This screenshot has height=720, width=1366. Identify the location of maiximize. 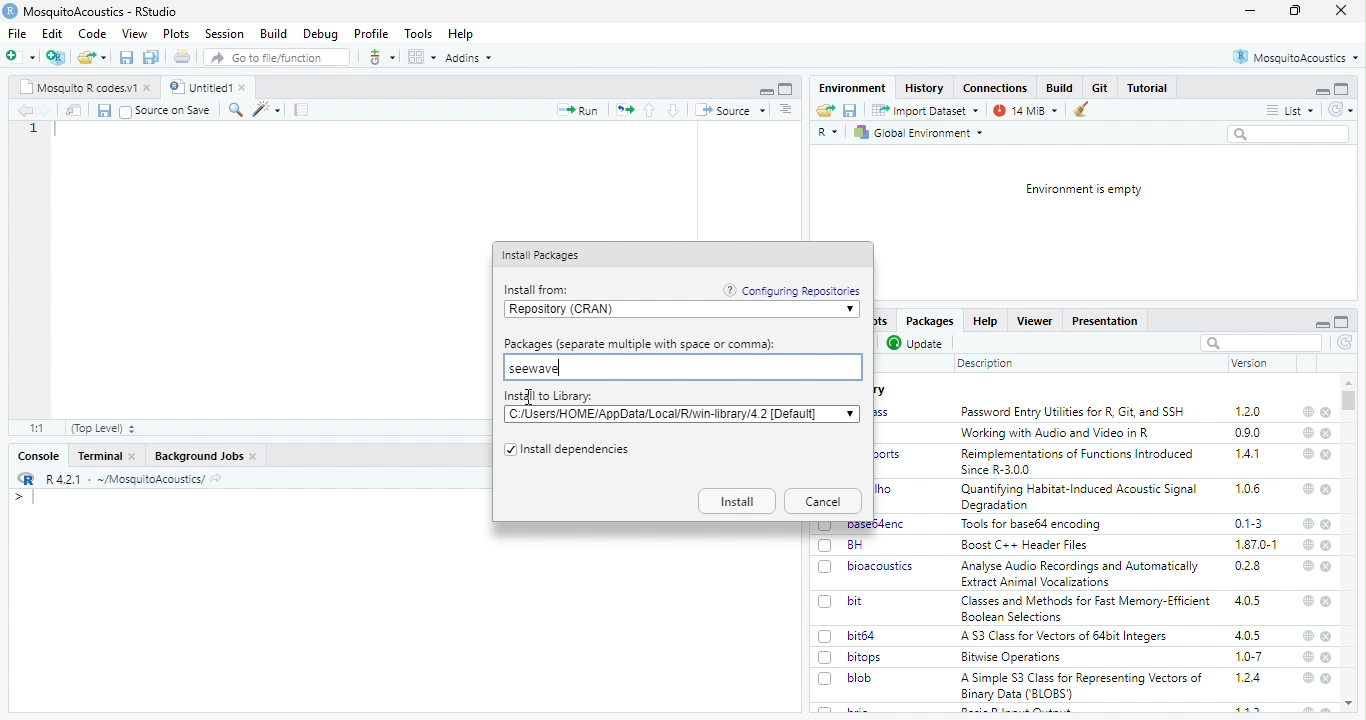
(787, 89).